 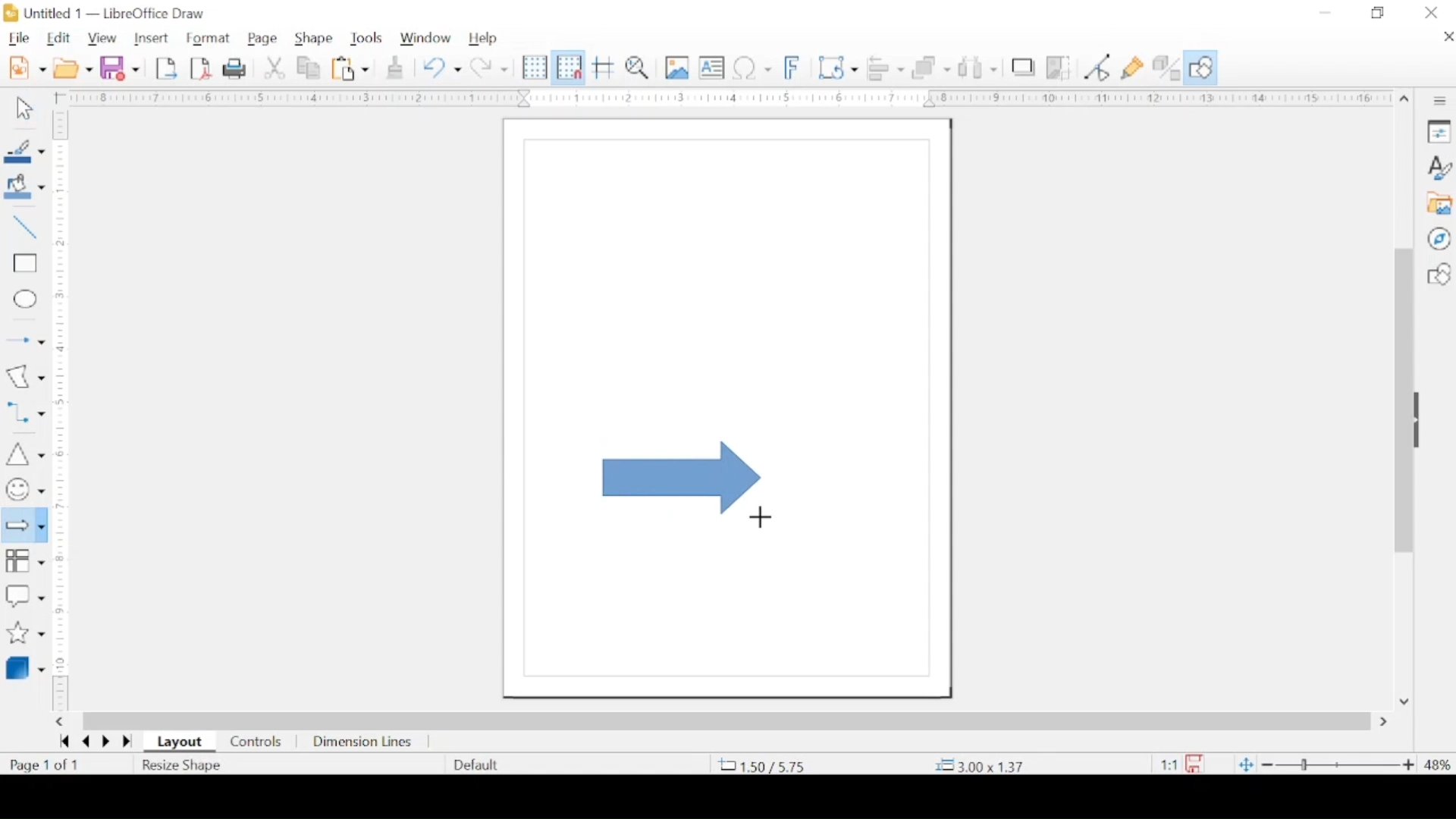 I want to click on block arrow, so click(x=682, y=479).